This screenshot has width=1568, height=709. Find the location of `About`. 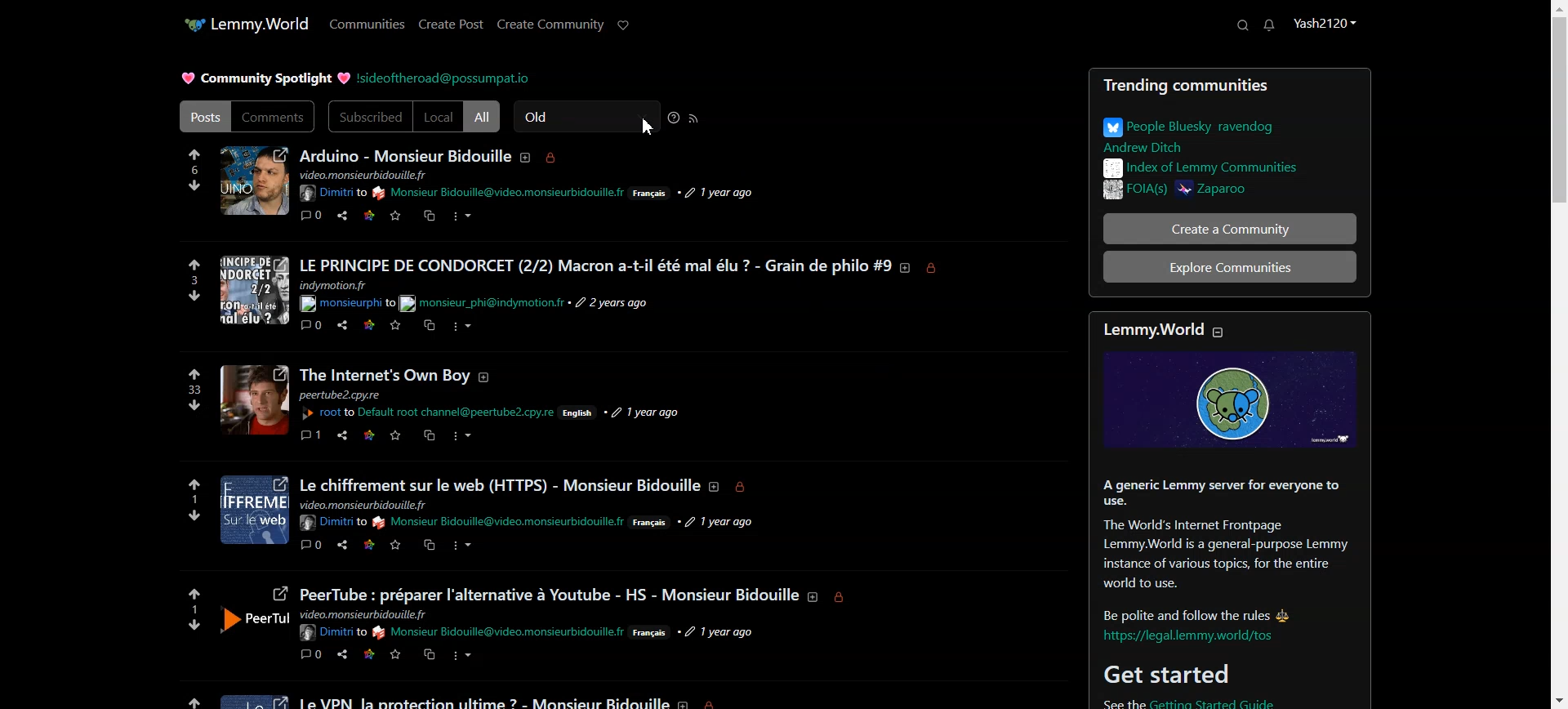

About is located at coordinates (525, 158).